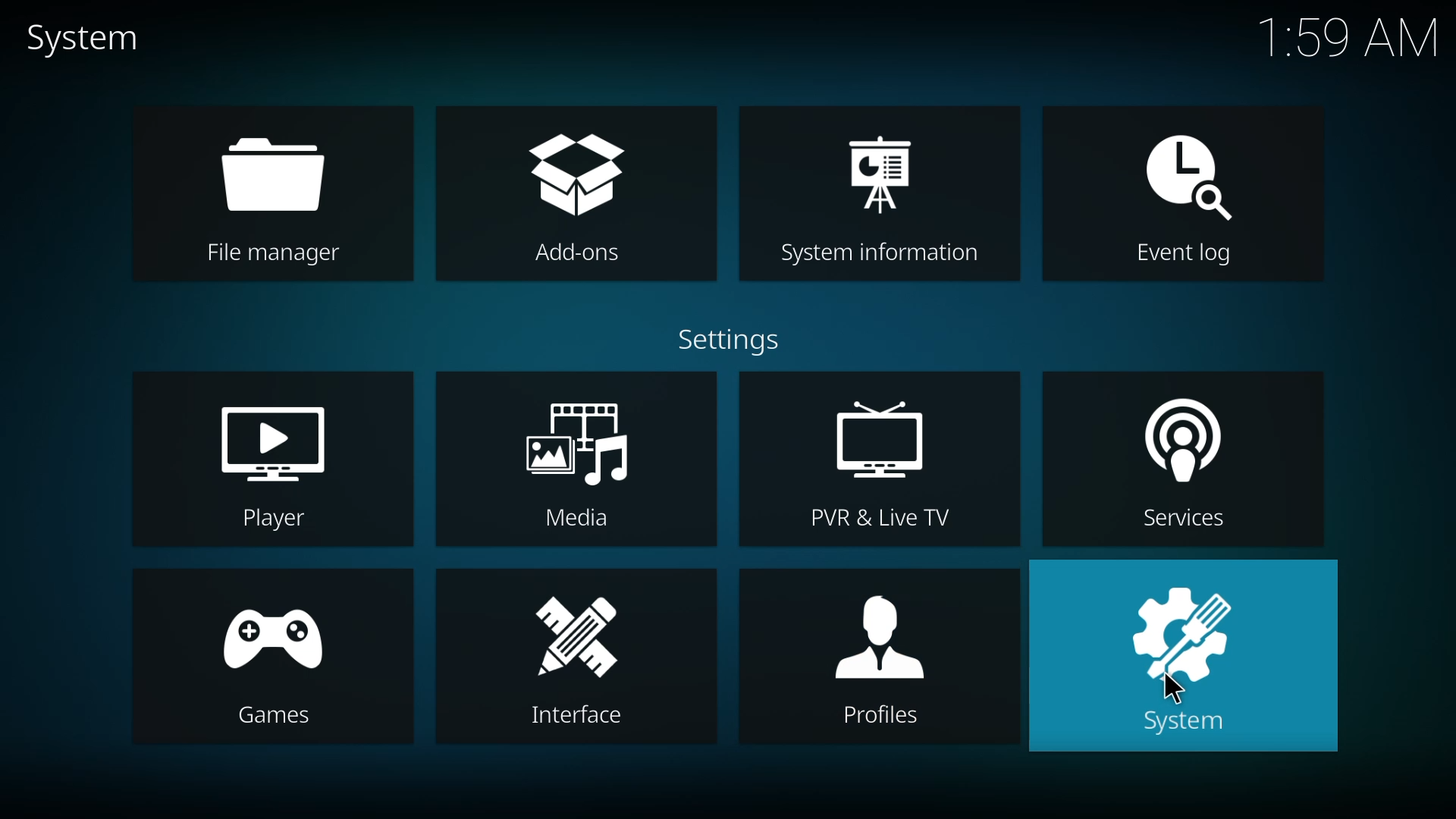  What do you see at coordinates (1172, 689) in the screenshot?
I see `cursor` at bounding box center [1172, 689].